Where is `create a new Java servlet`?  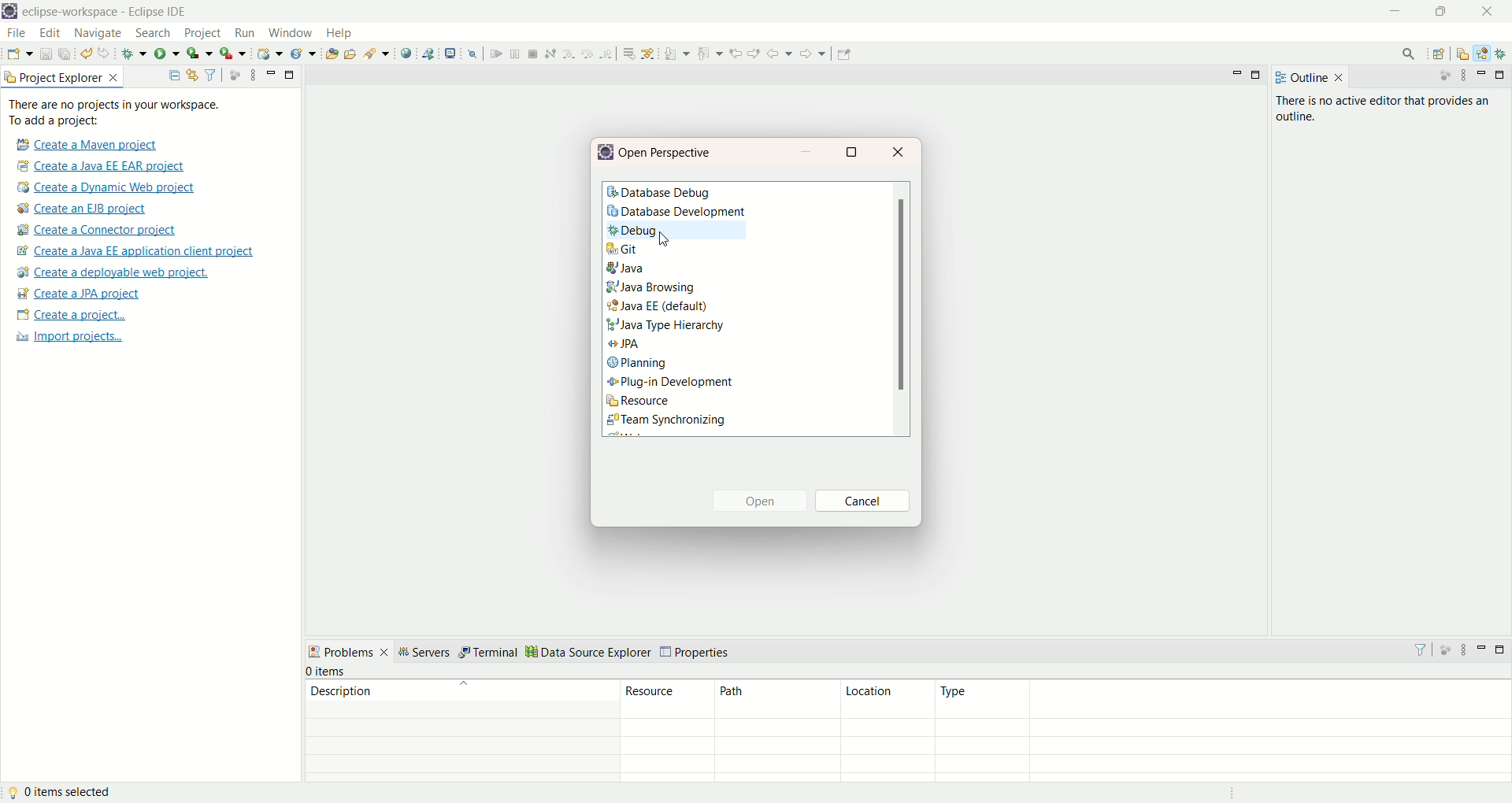
create a new Java servlet is located at coordinates (302, 54).